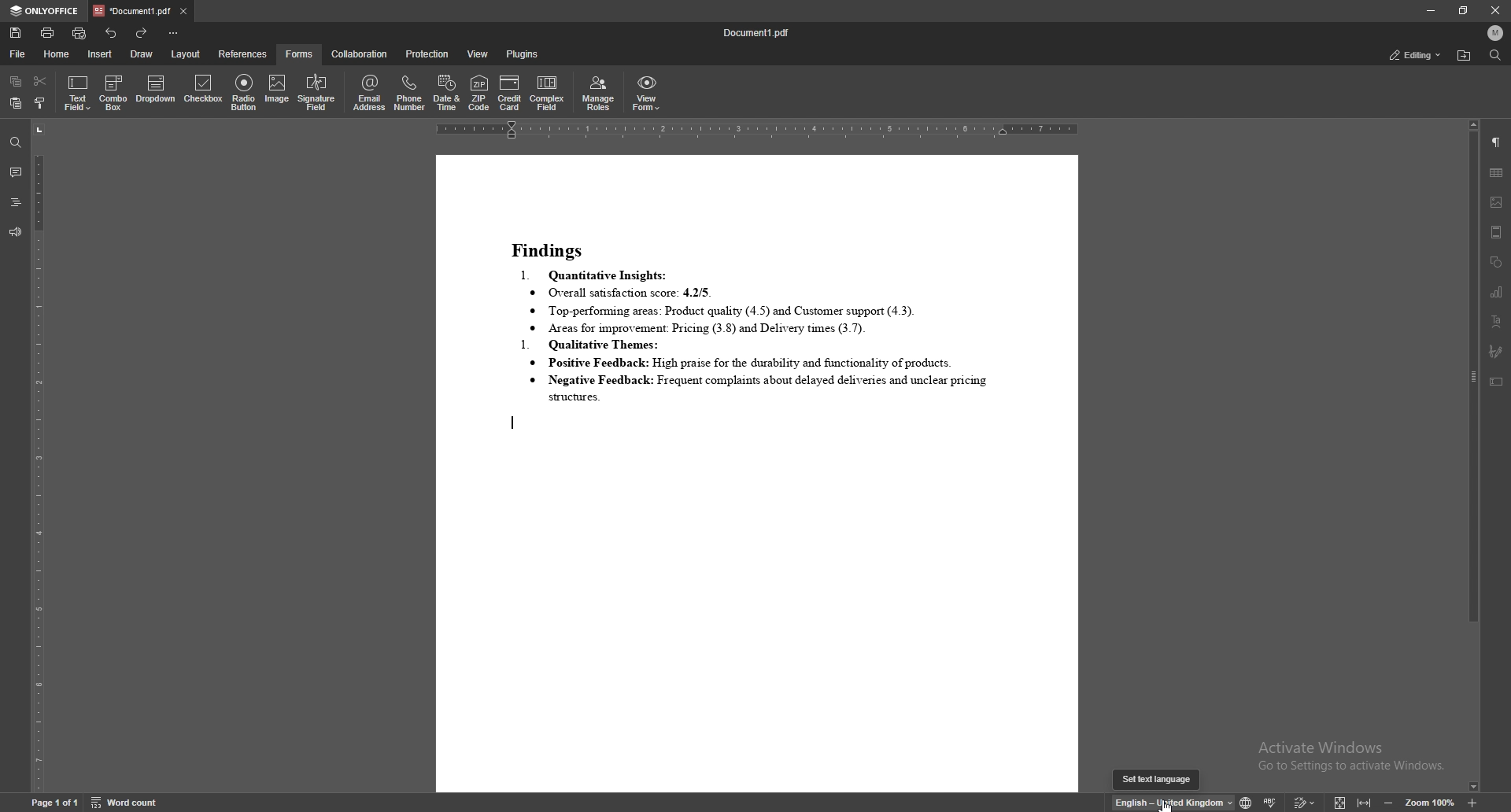 Image resolution: width=1511 pixels, height=812 pixels. I want to click on locate file, so click(1464, 56).